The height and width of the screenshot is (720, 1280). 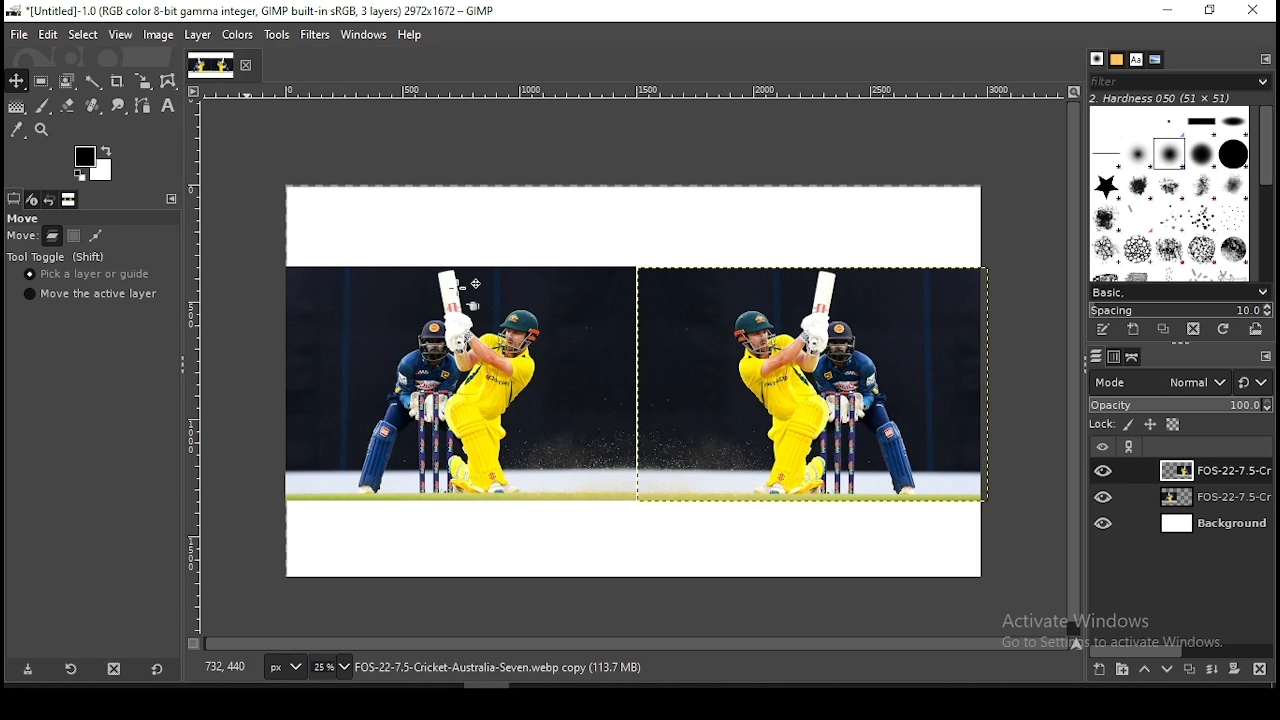 What do you see at coordinates (96, 235) in the screenshot?
I see `move paths` at bounding box center [96, 235].